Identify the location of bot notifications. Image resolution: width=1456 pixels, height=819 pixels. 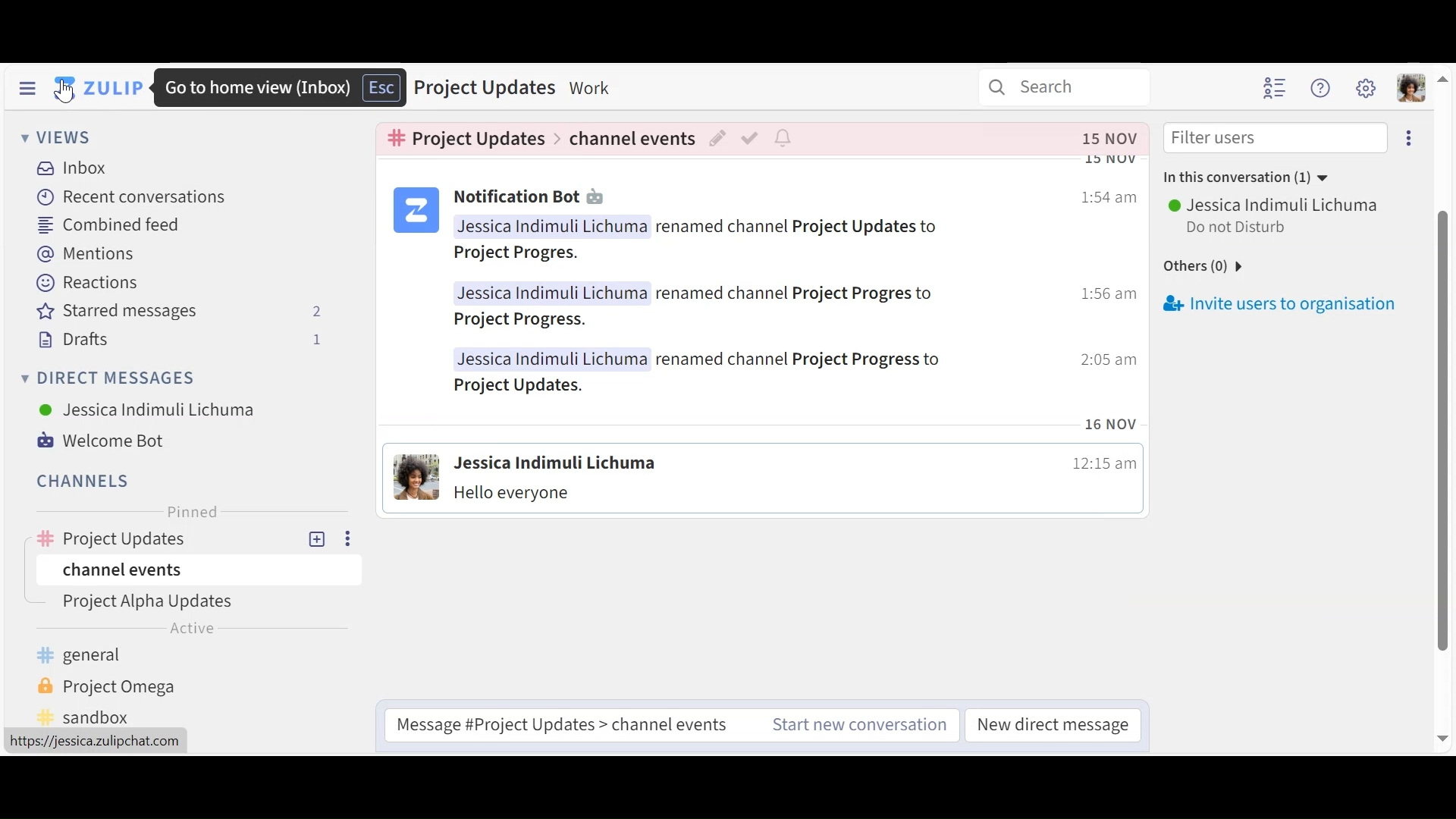
(798, 227).